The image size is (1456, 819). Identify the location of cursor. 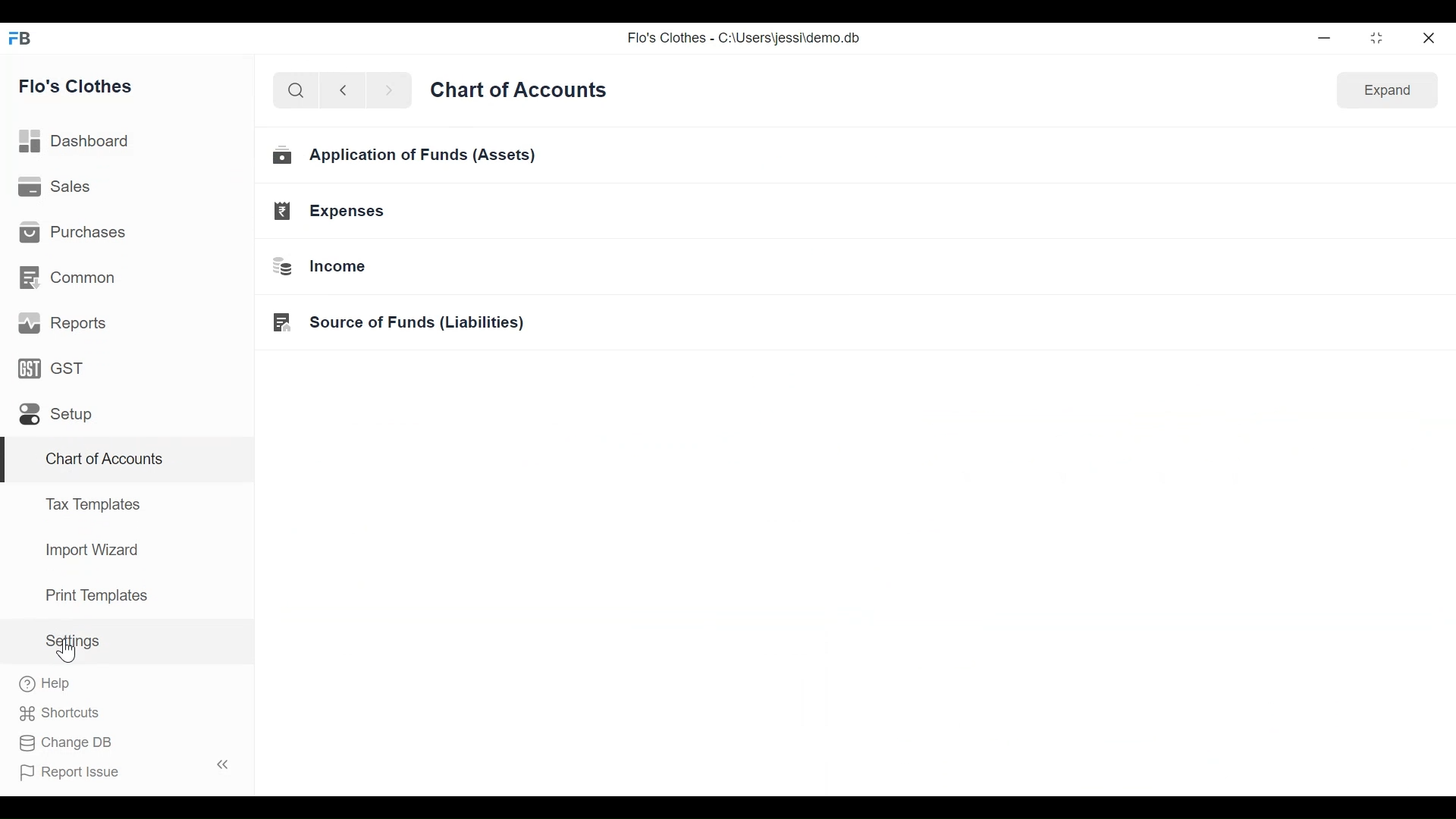
(65, 651).